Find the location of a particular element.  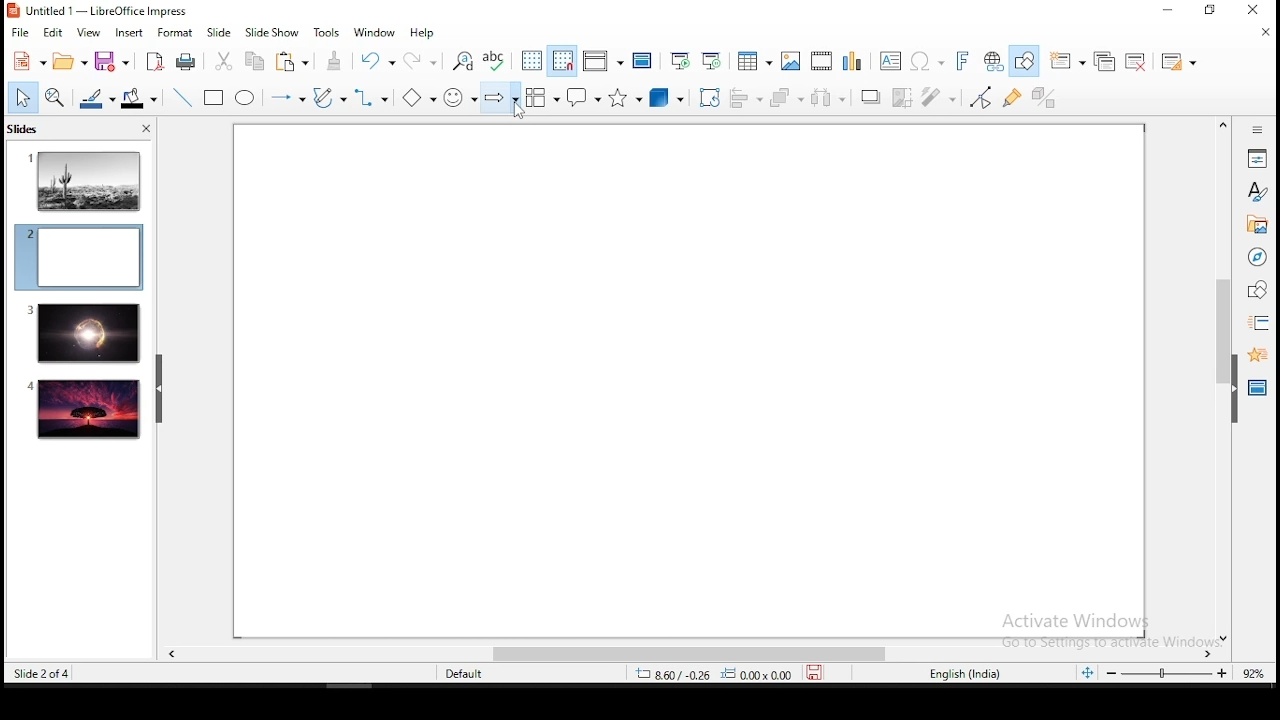

symbol shapes is located at coordinates (459, 98).